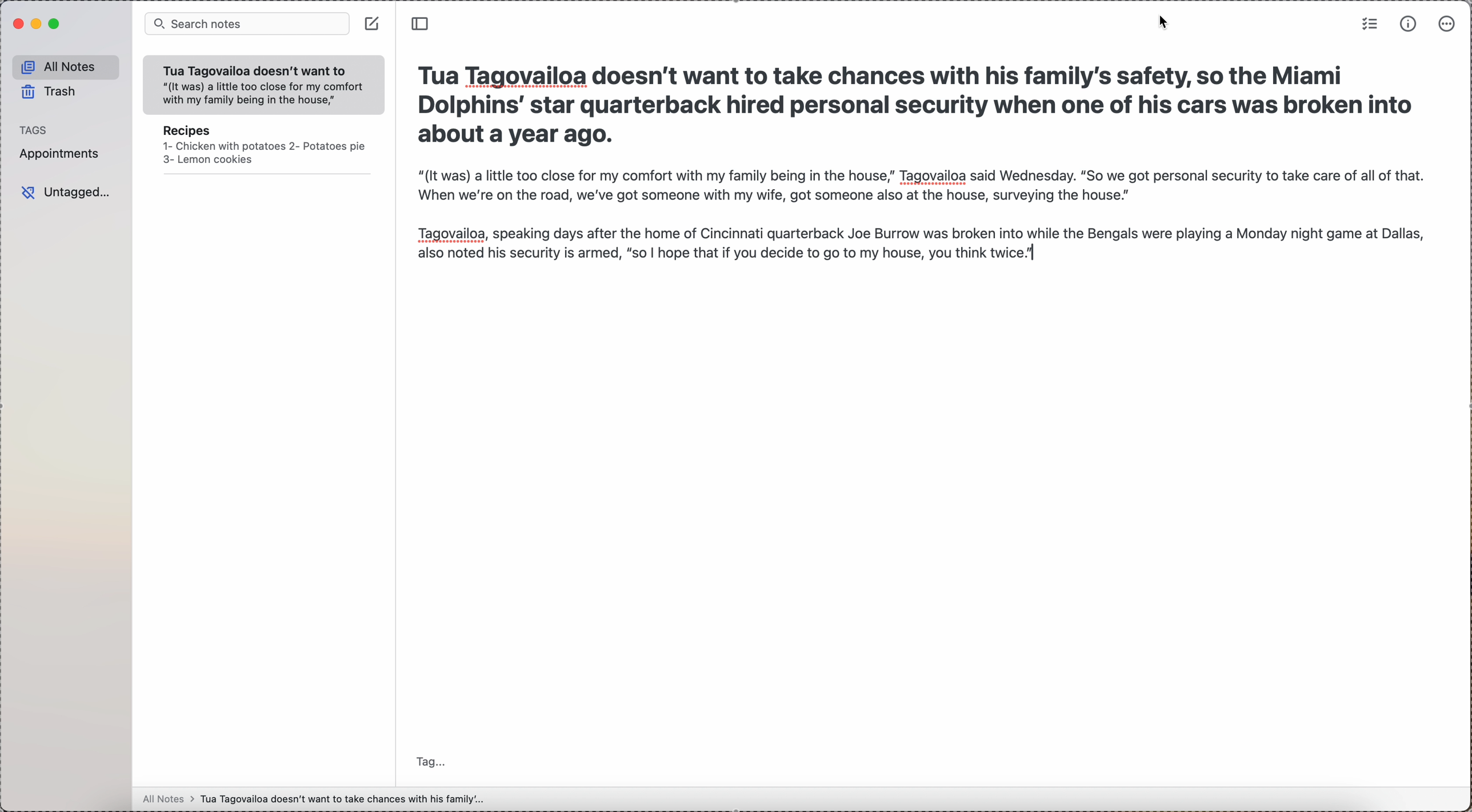  I want to click on cursor, so click(1157, 25).